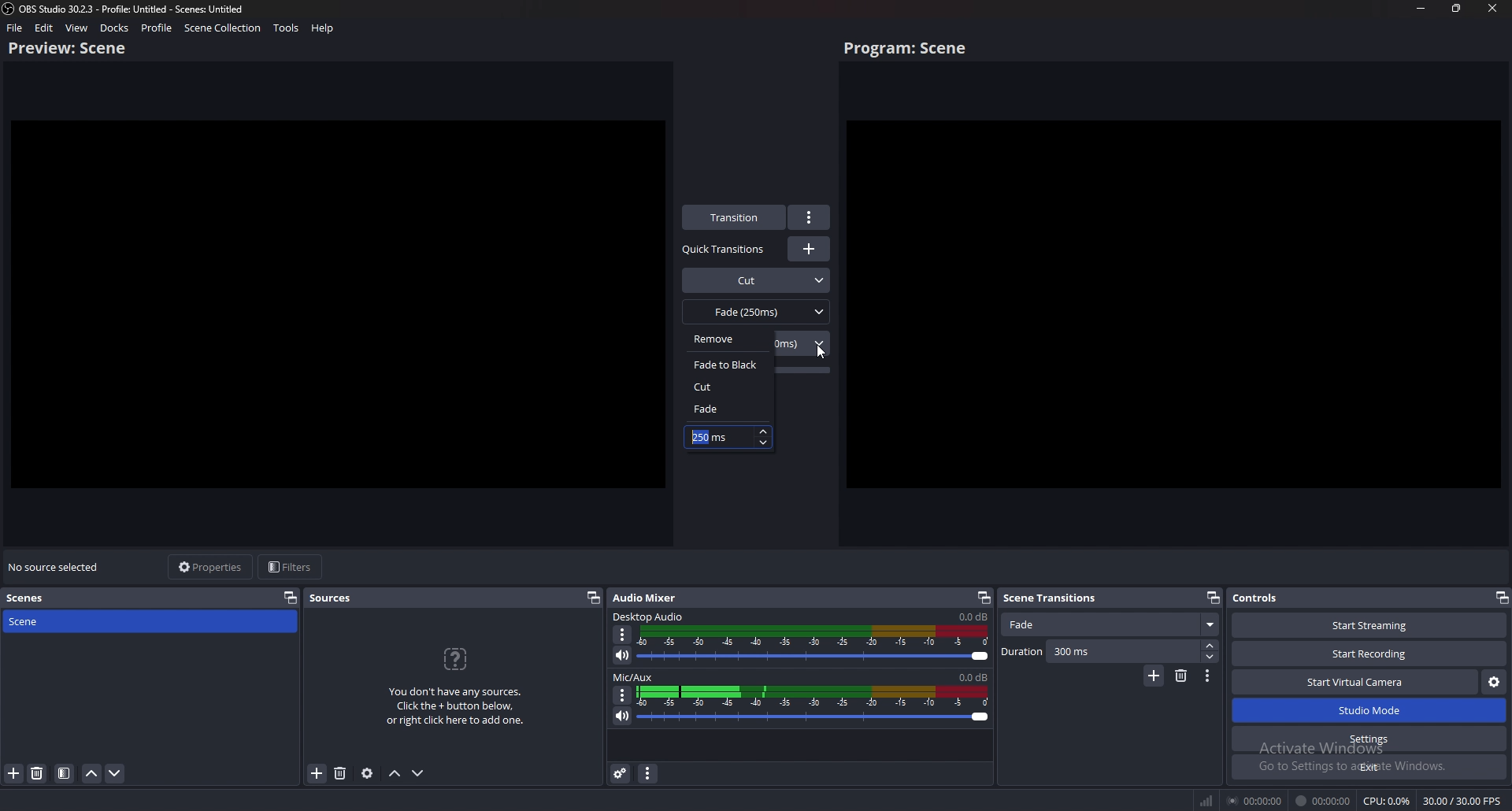  Describe the element at coordinates (1500, 597) in the screenshot. I see `pop out` at that location.